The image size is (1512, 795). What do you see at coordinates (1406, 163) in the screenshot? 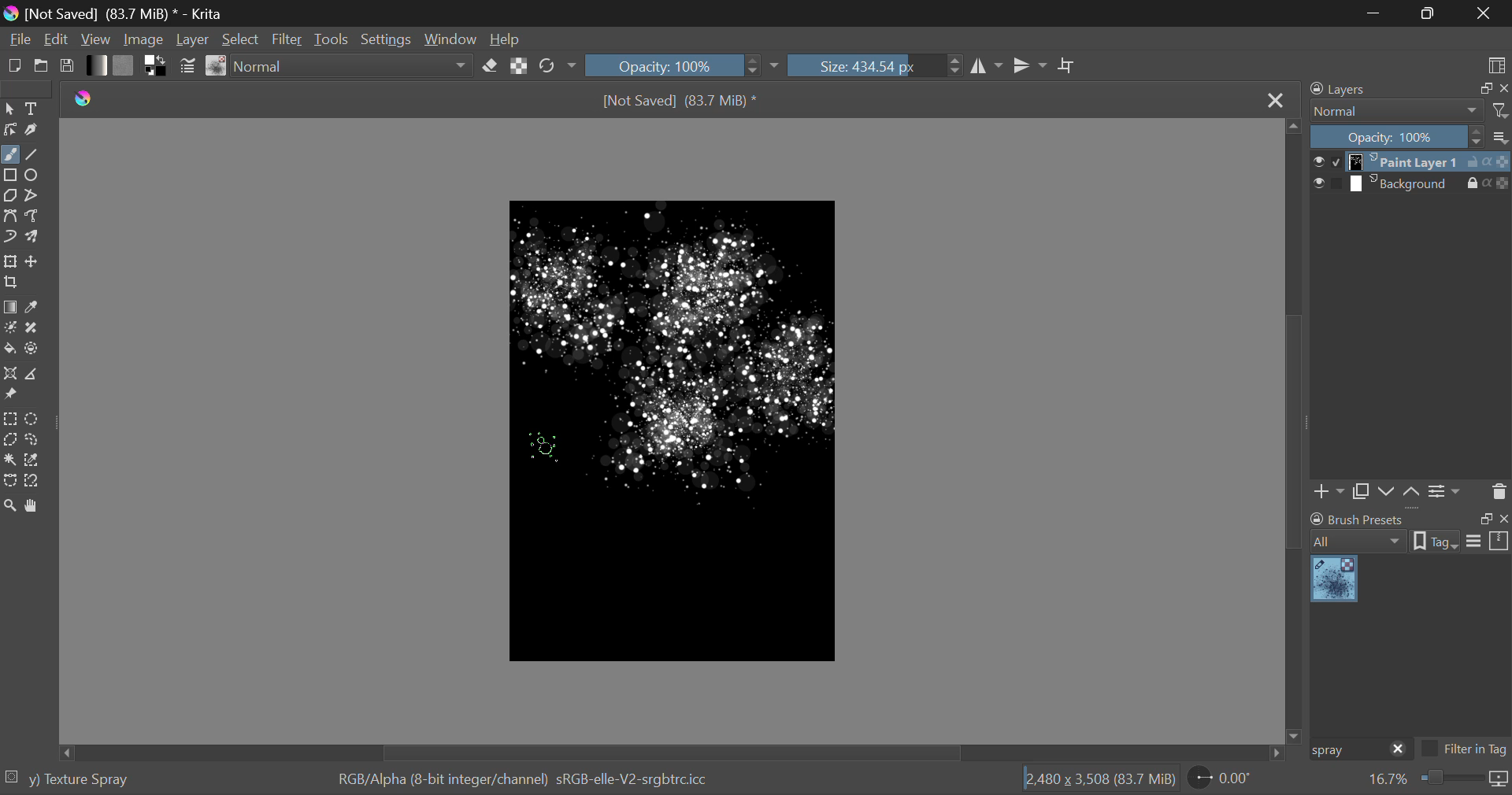
I see `layer 1` at bounding box center [1406, 163].